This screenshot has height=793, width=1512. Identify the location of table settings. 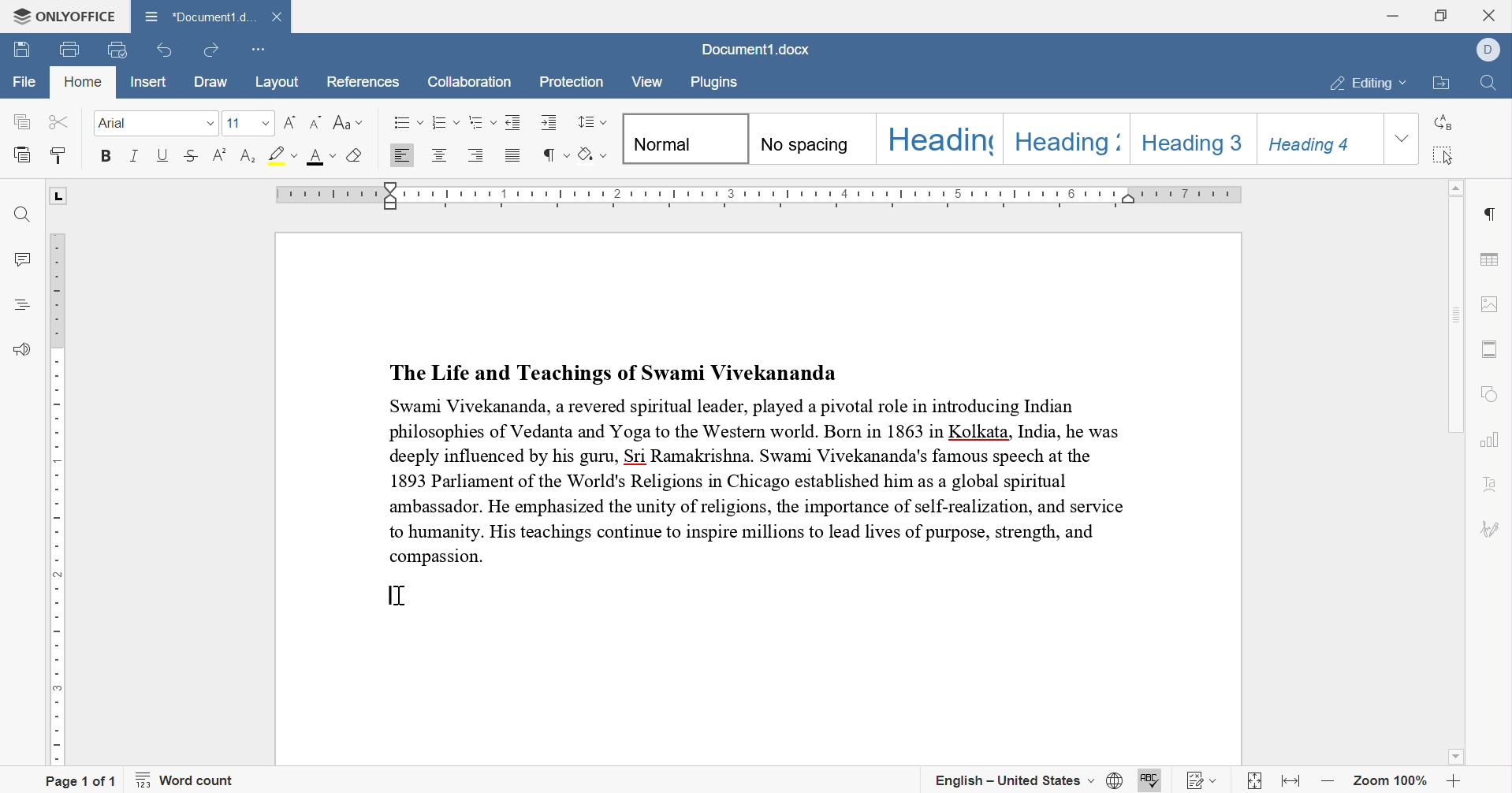
(1491, 261).